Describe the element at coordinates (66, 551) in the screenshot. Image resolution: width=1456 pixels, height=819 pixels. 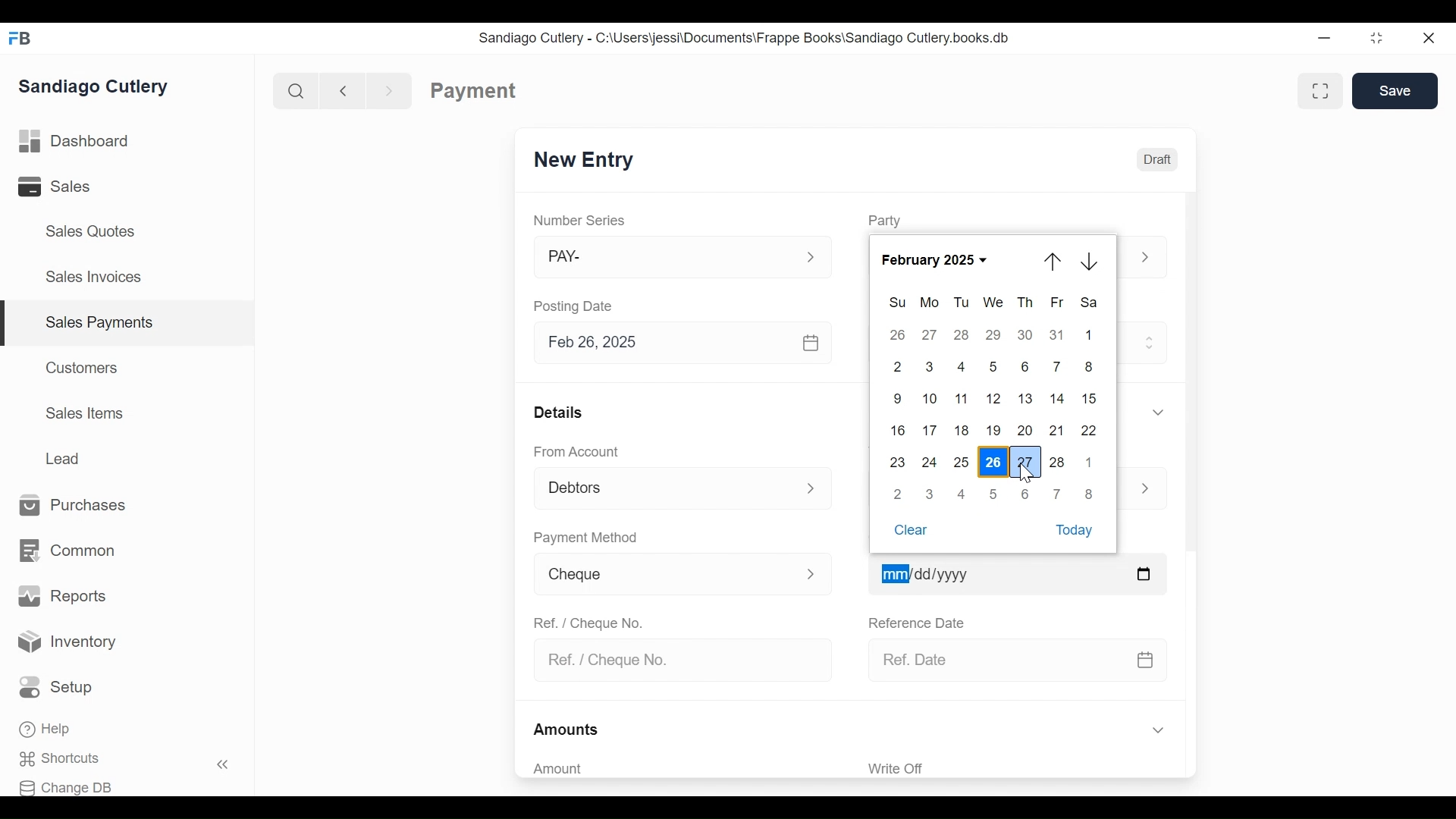
I see `Common` at that location.